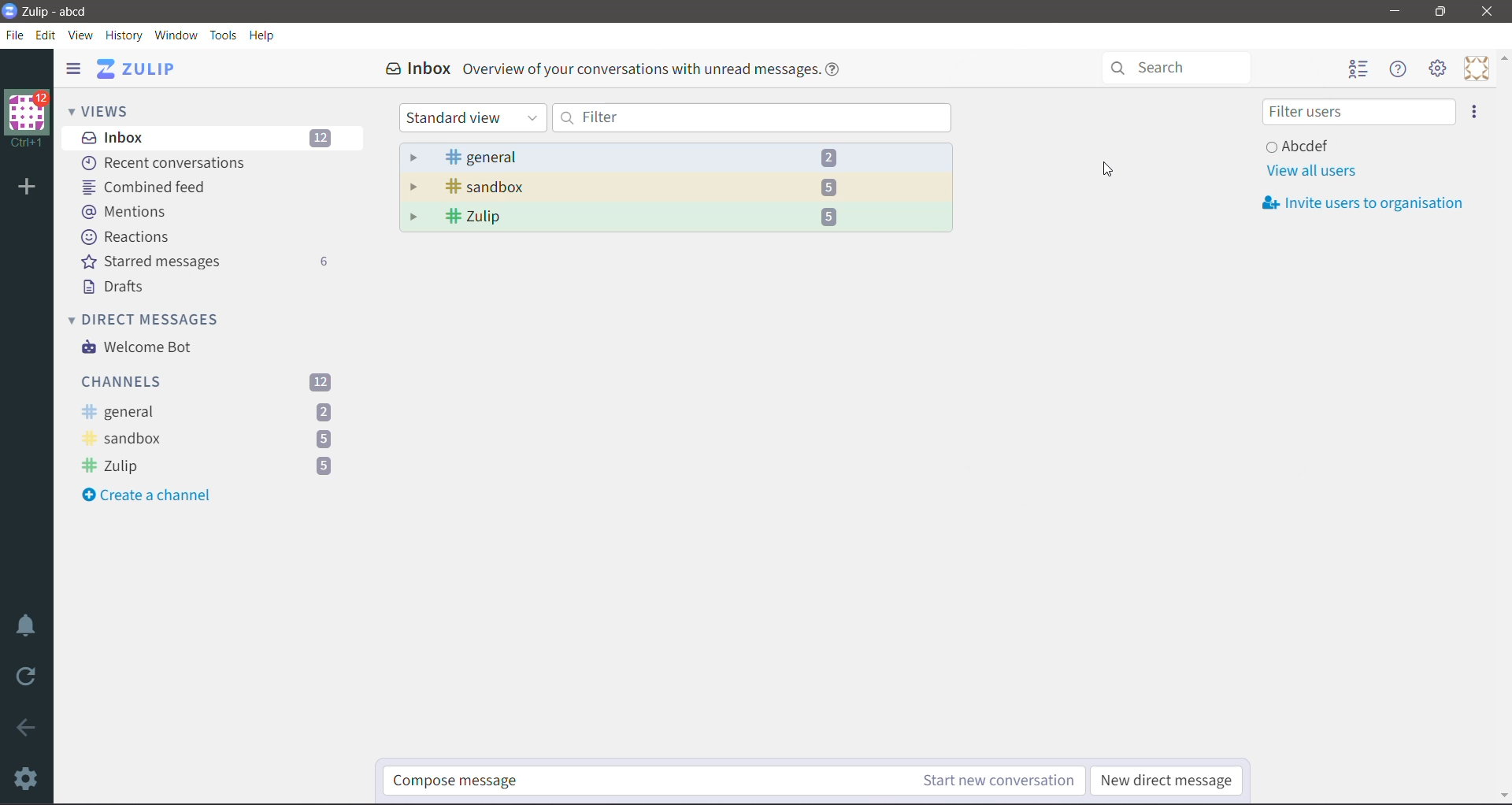  Describe the element at coordinates (1173, 68) in the screenshot. I see `search` at that location.